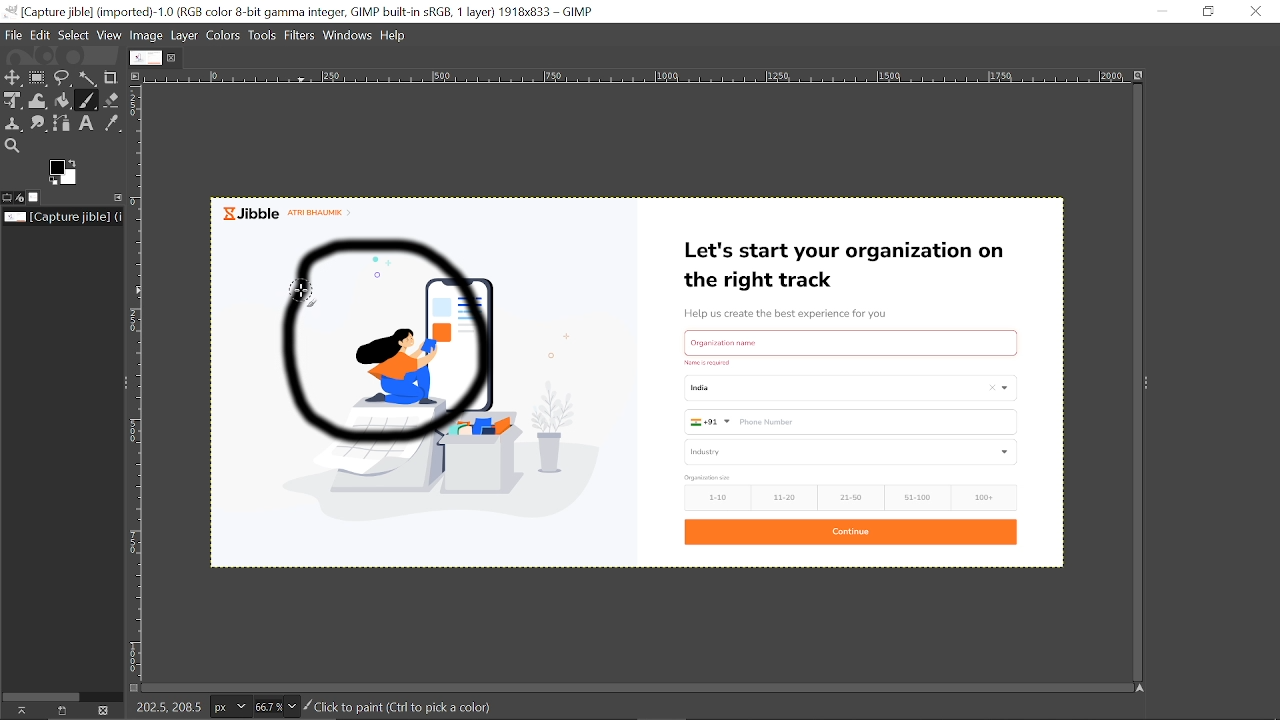 The height and width of the screenshot is (720, 1280). Describe the element at coordinates (63, 172) in the screenshot. I see `The active foreground color` at that location.